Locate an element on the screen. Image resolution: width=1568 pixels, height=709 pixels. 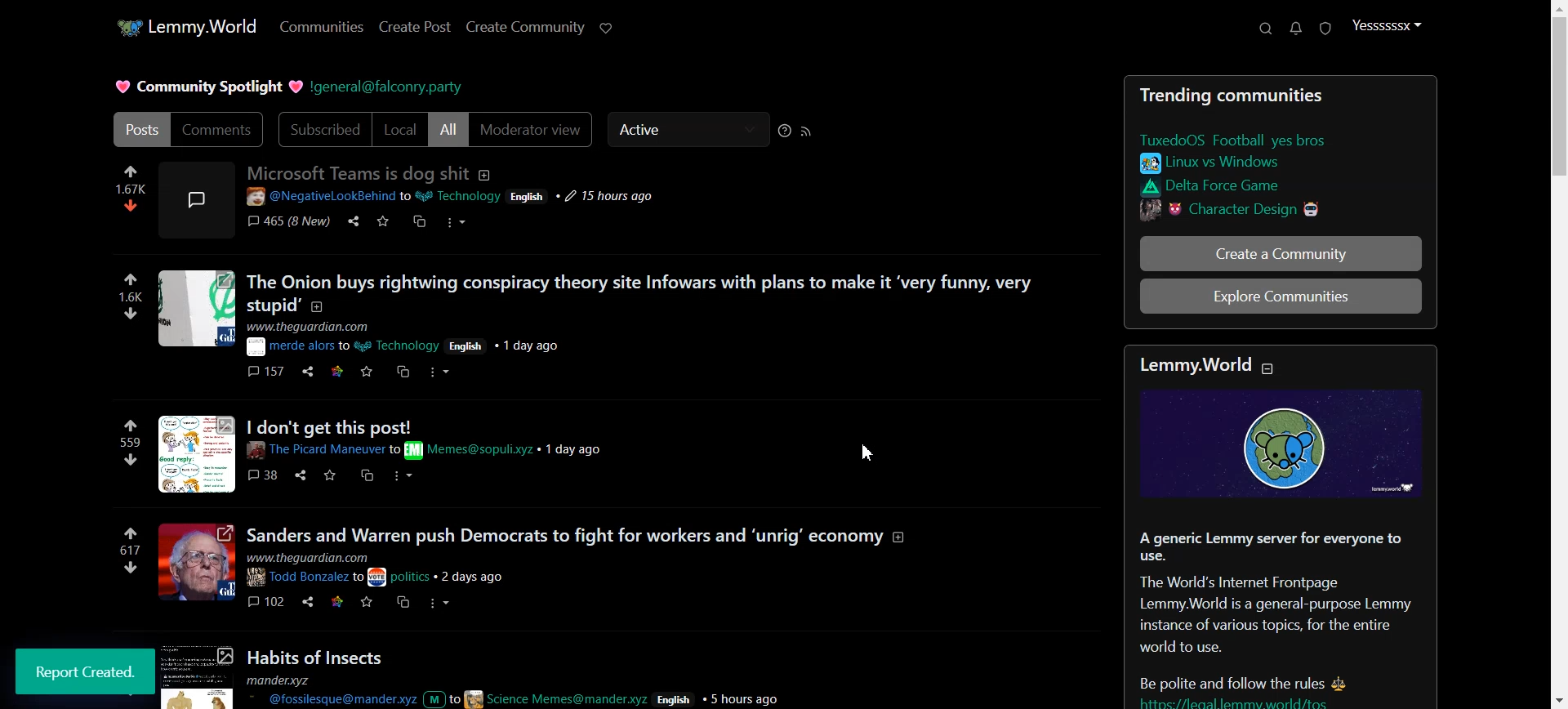
cs is located at coordinates (367, 477).